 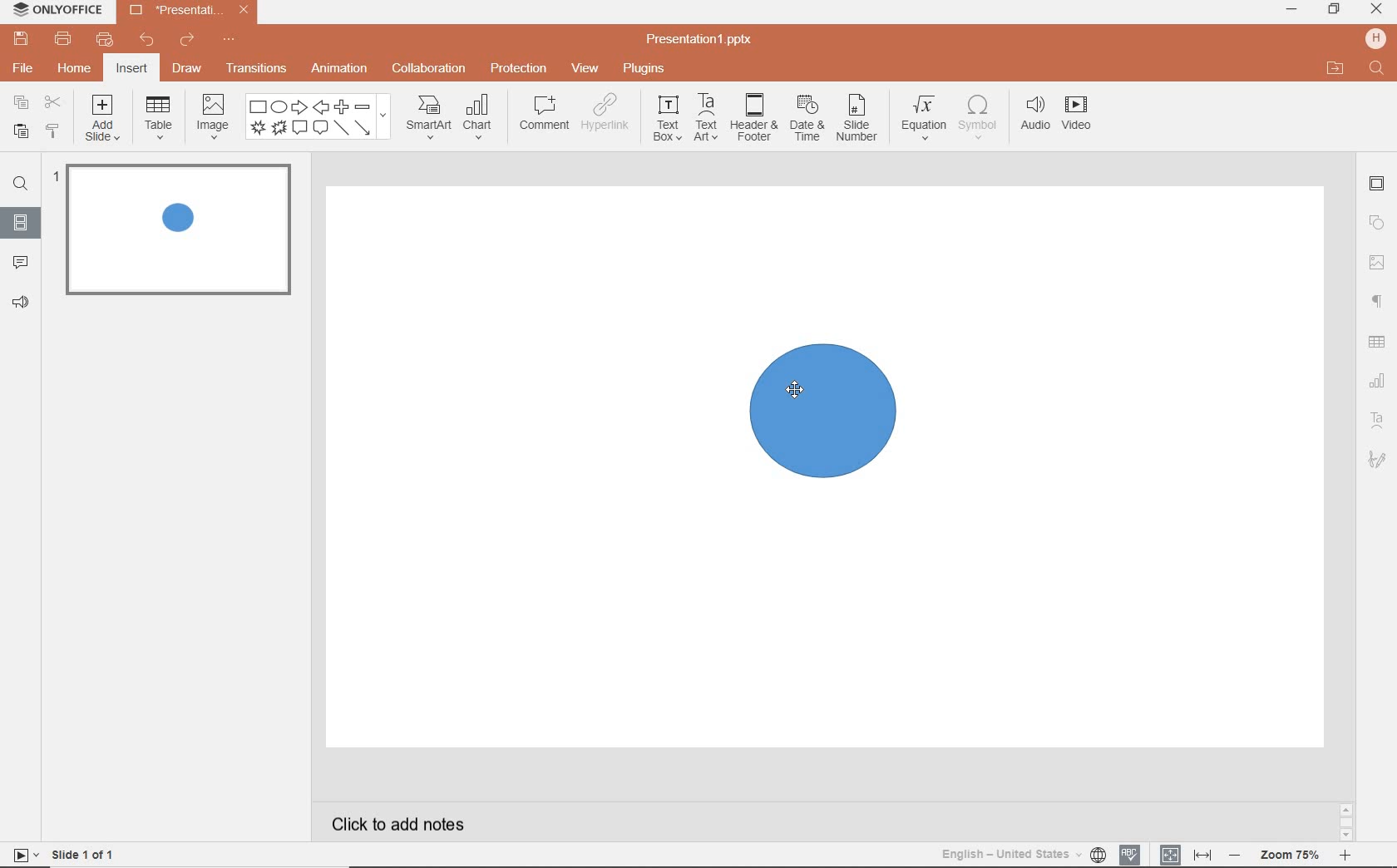 I want to click on hp, so click(x=1374, y=38).